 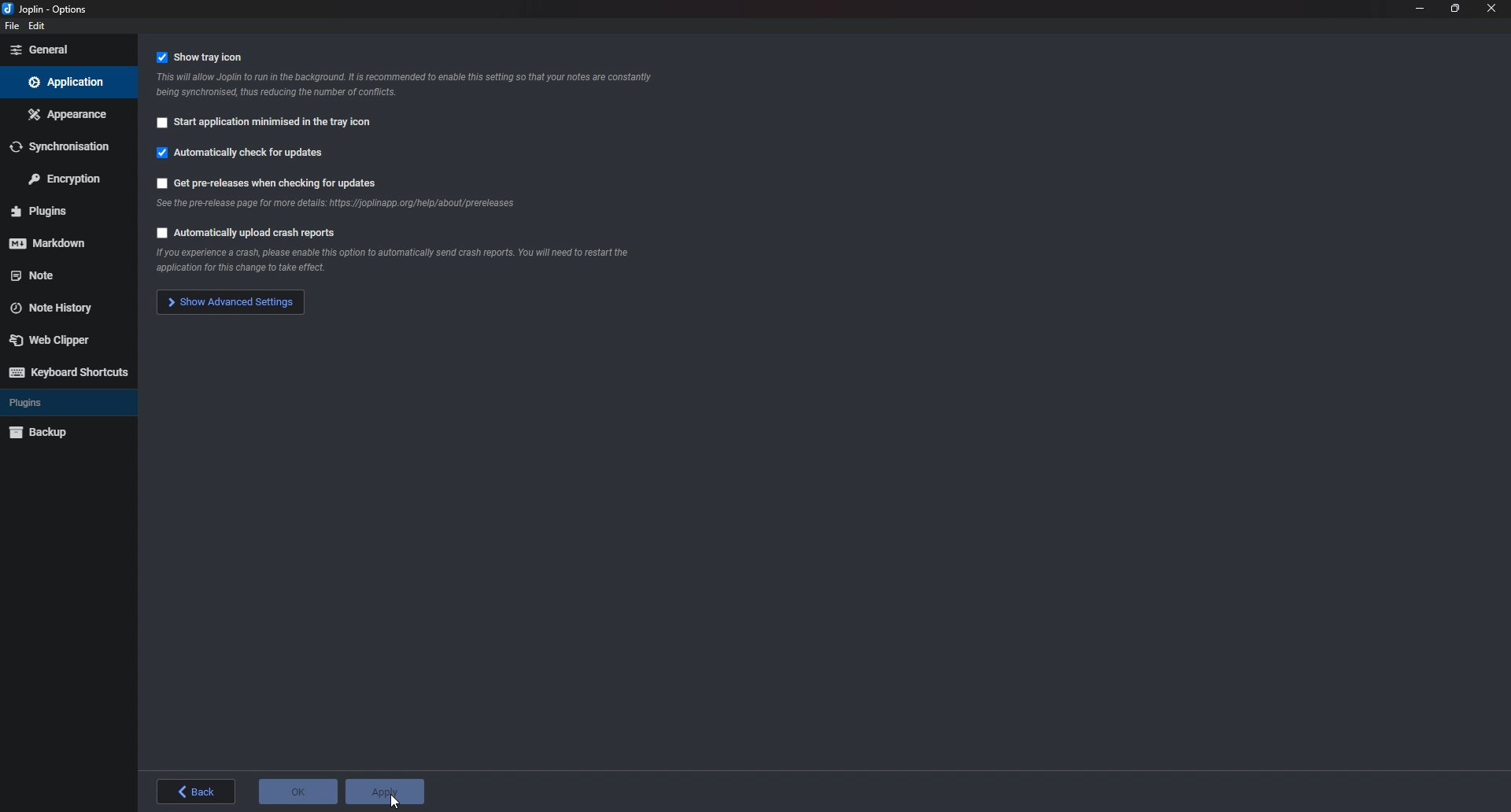 What do you see at coordinates (56, 244) in the screenshot?
I see `markdown` at bounding box center [56, 244].